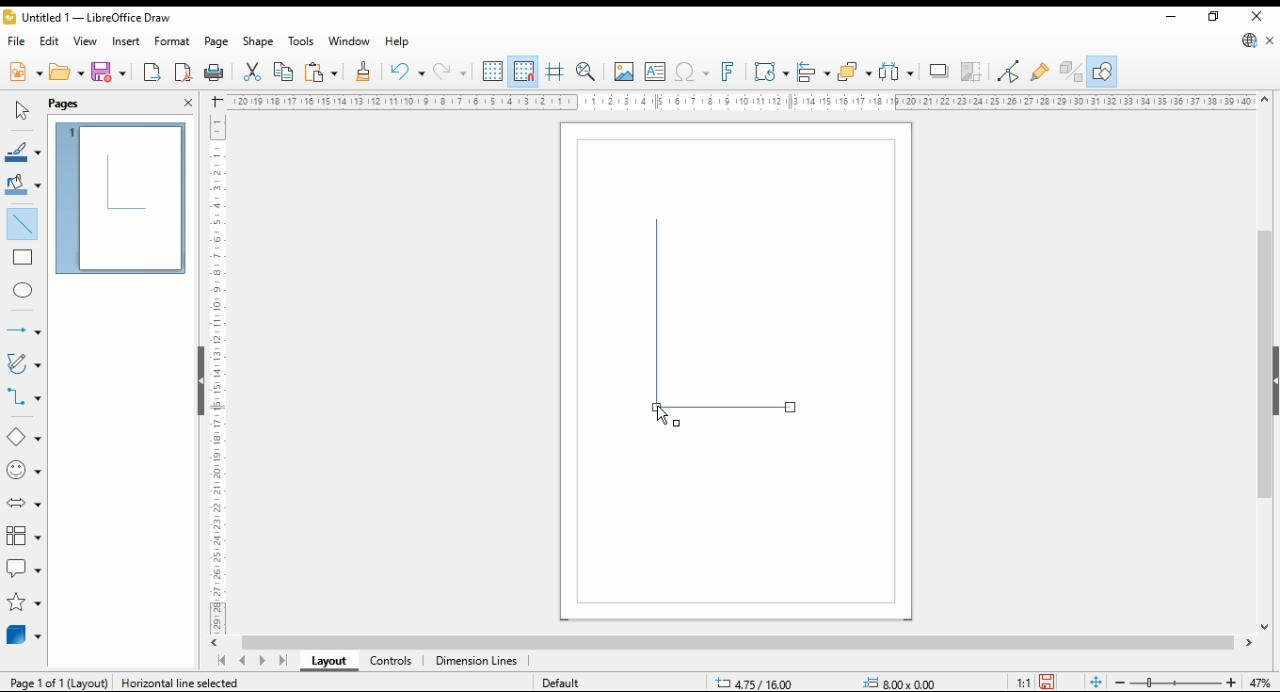  Describe the element at coordinates (55, 683) in the screenshot. I see `page 1 of 1` at that location.